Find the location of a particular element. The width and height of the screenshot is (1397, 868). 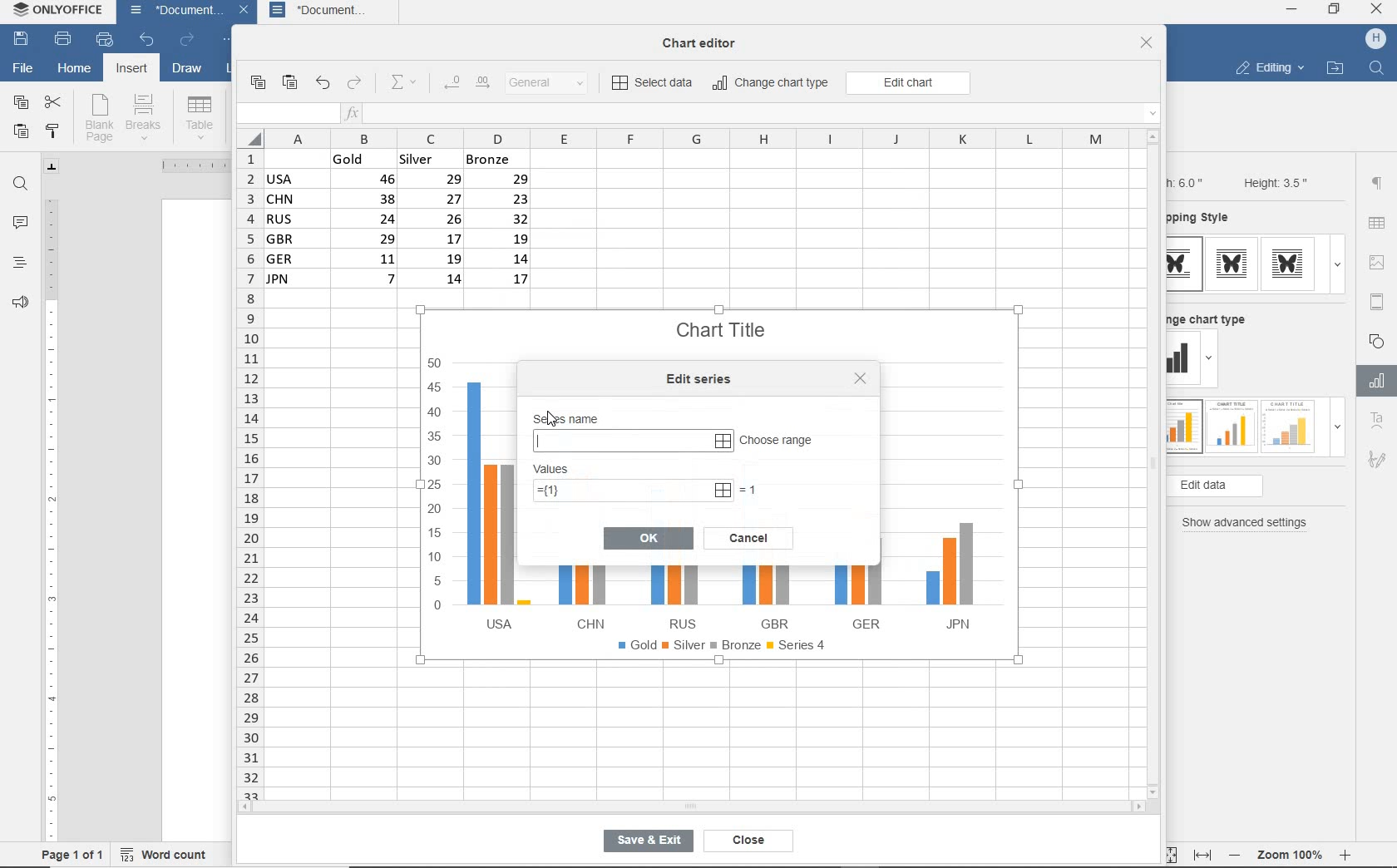

dropdown is located at coordinates (1212, 361).